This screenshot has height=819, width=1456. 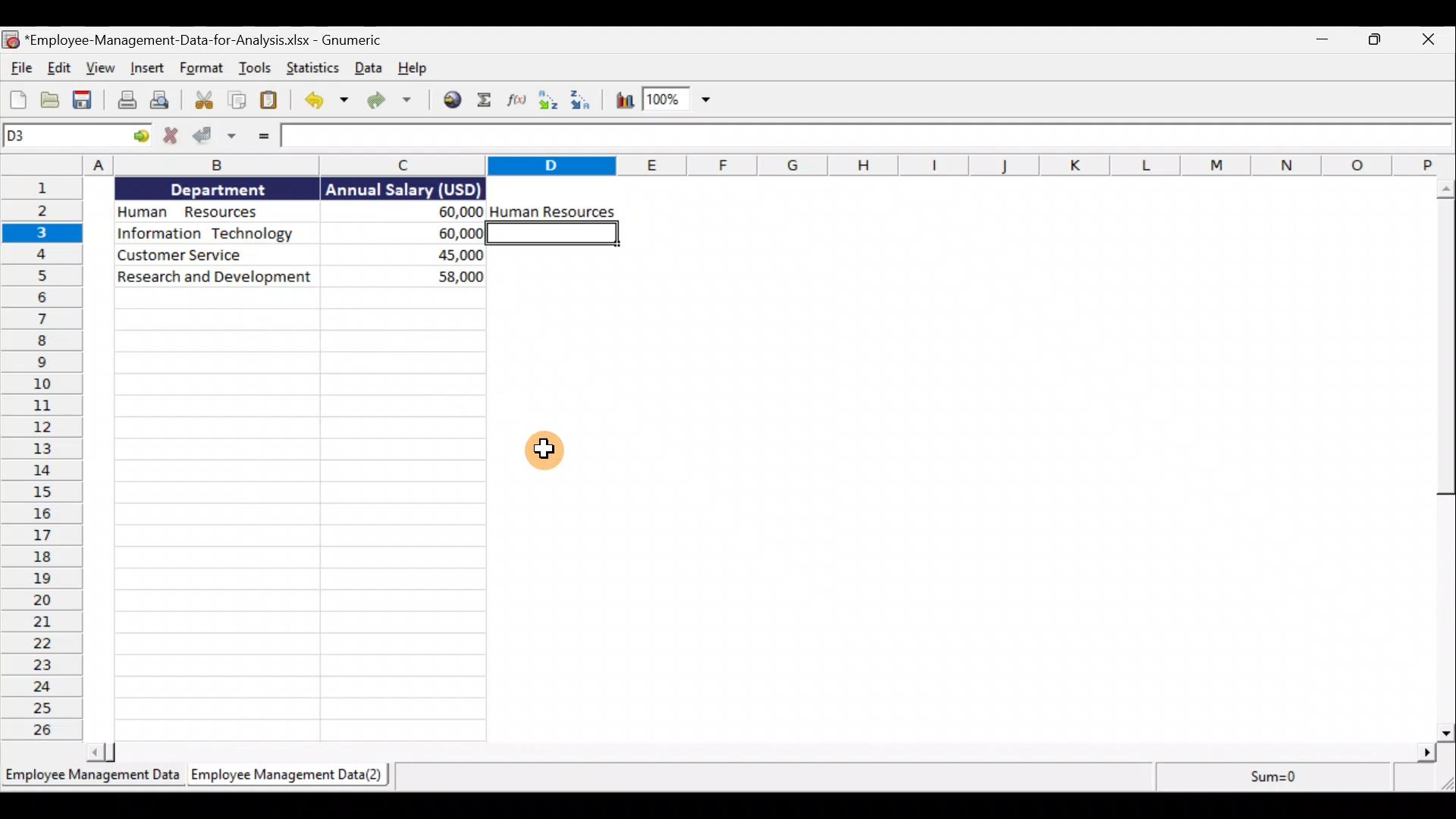 I want to click on Format, so click(x=201, y=68).